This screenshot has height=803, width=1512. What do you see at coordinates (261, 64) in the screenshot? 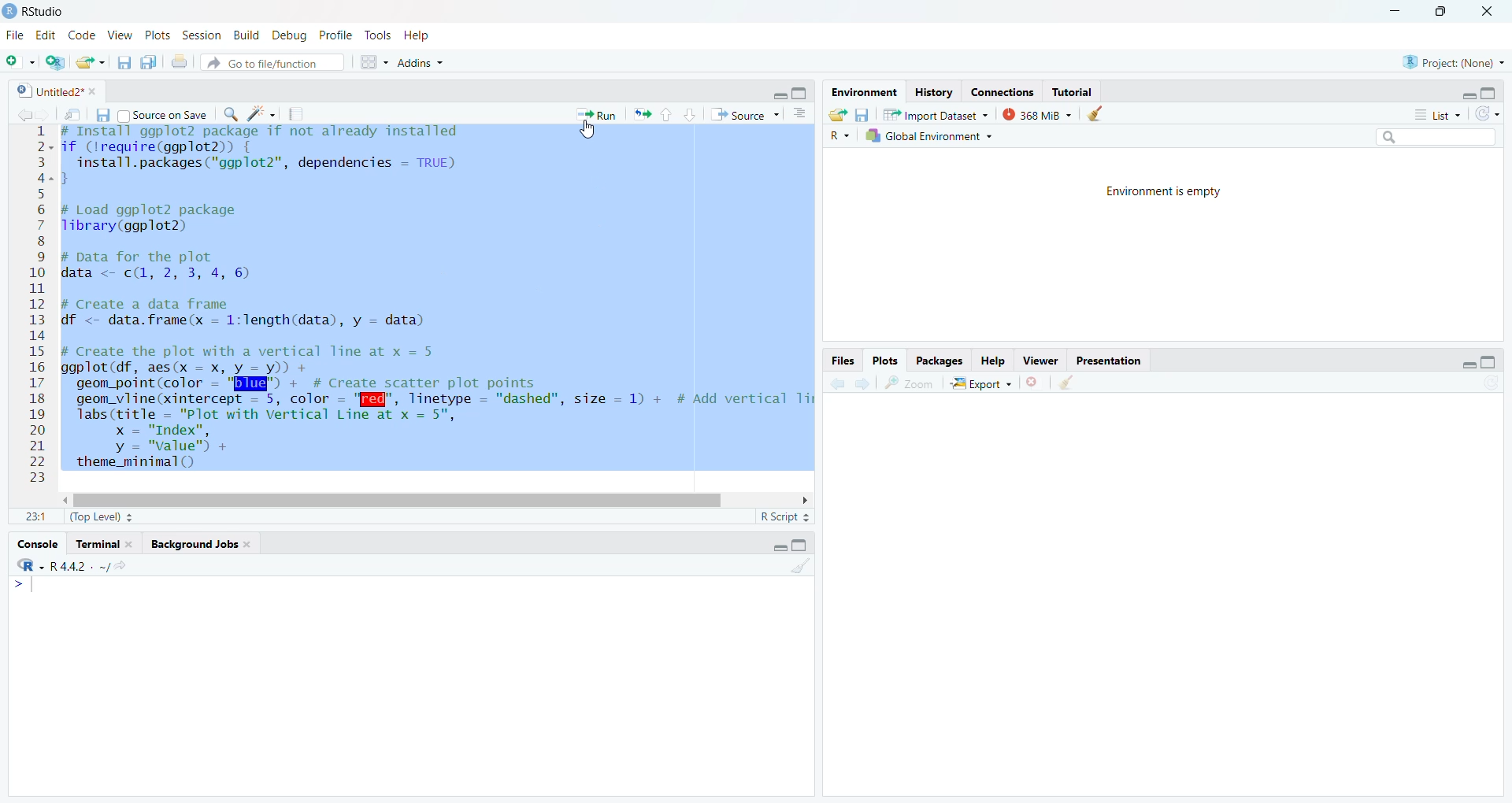
I see `® Go to file/function` at bounding box center [261, 64].